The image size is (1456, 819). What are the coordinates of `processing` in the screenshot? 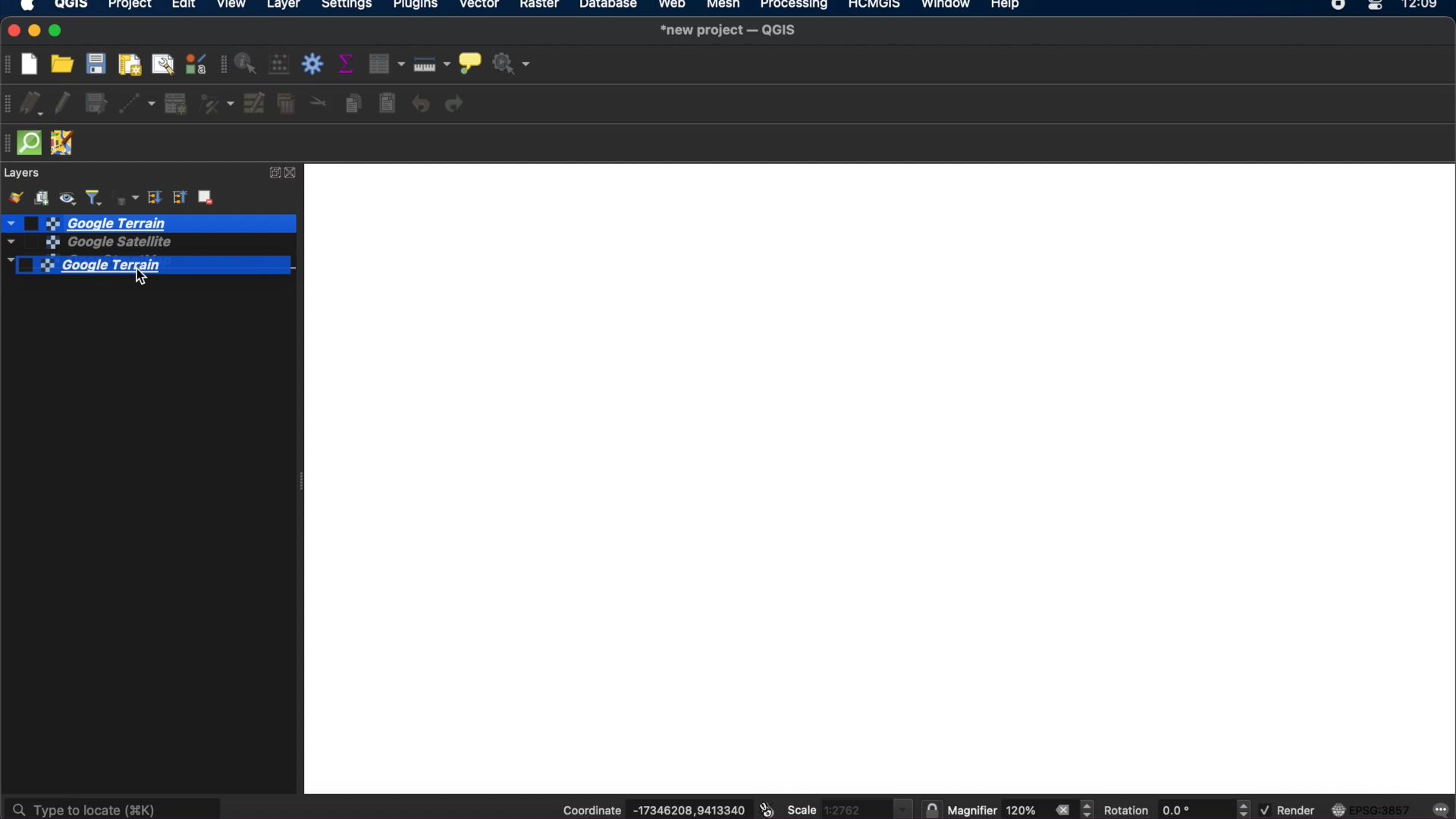 It's located at (795, 6).